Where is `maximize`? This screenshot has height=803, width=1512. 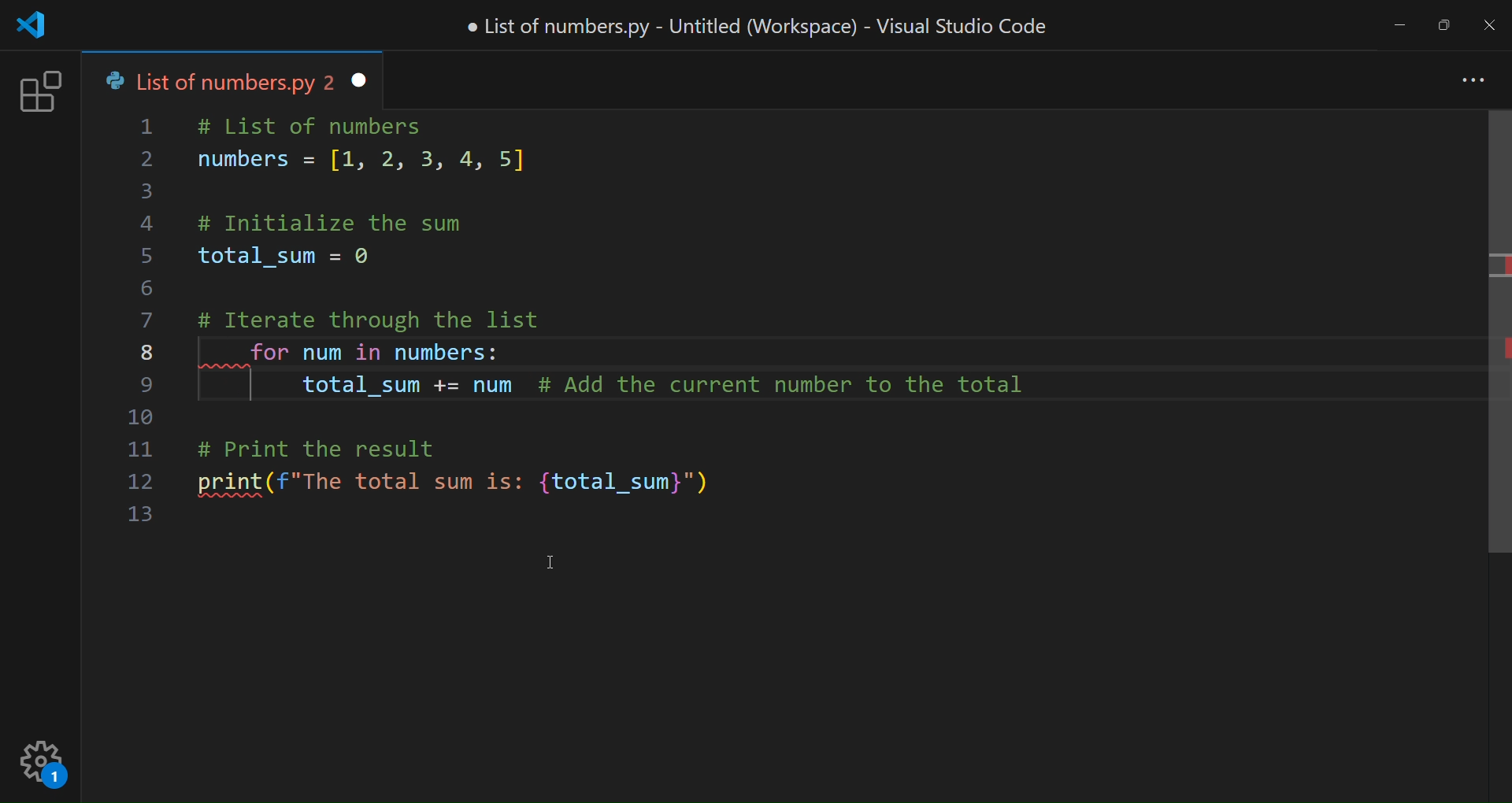 maximize is located at coordinates (1448, 20).